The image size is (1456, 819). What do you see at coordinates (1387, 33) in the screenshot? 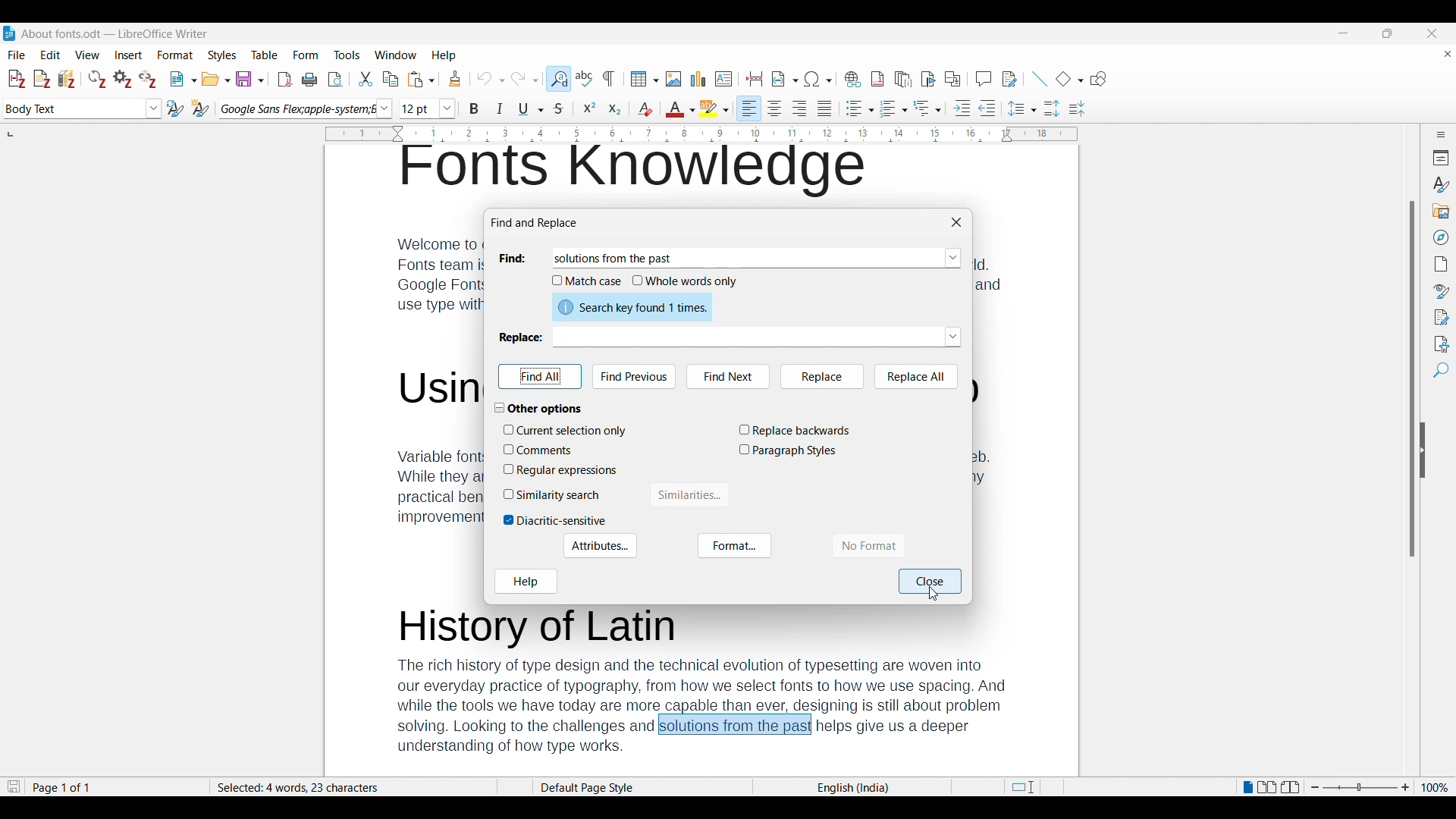
I see `Show interface in a smaller tab` at bounding box center [1387, 33].